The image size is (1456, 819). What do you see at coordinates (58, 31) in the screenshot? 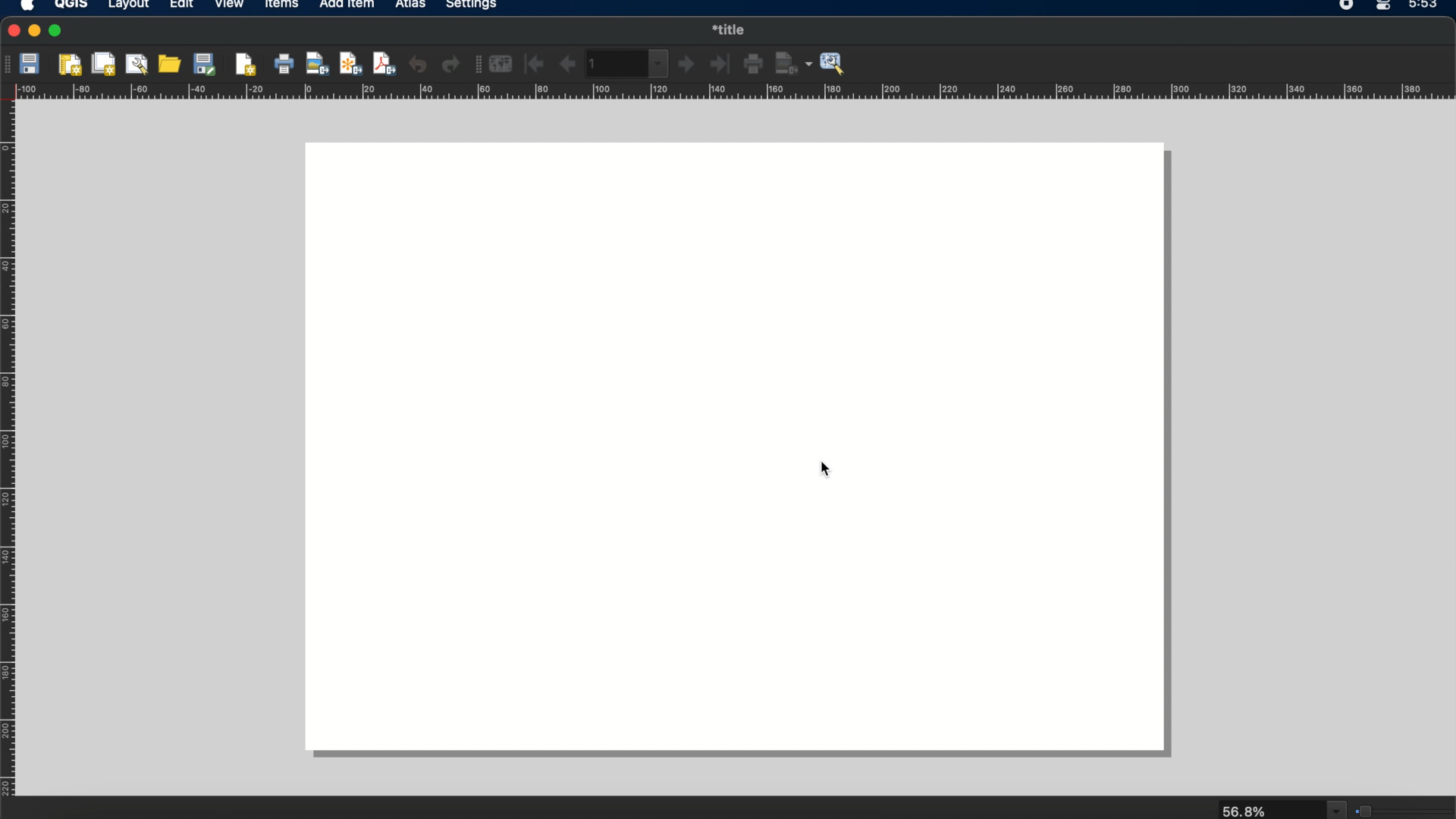
I see `maximize` at bounding box center [58, 31].